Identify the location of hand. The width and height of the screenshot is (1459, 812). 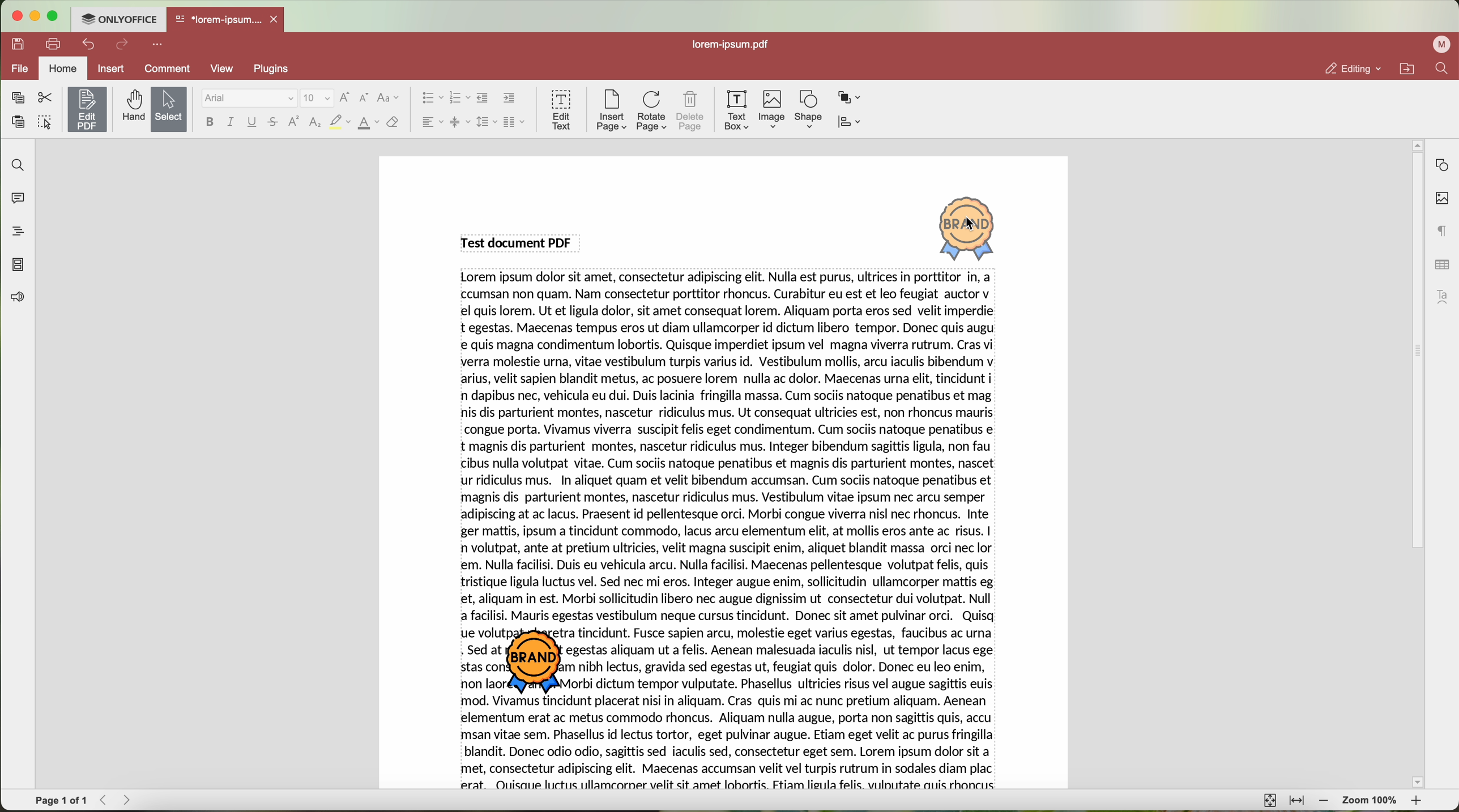
(132, 106).